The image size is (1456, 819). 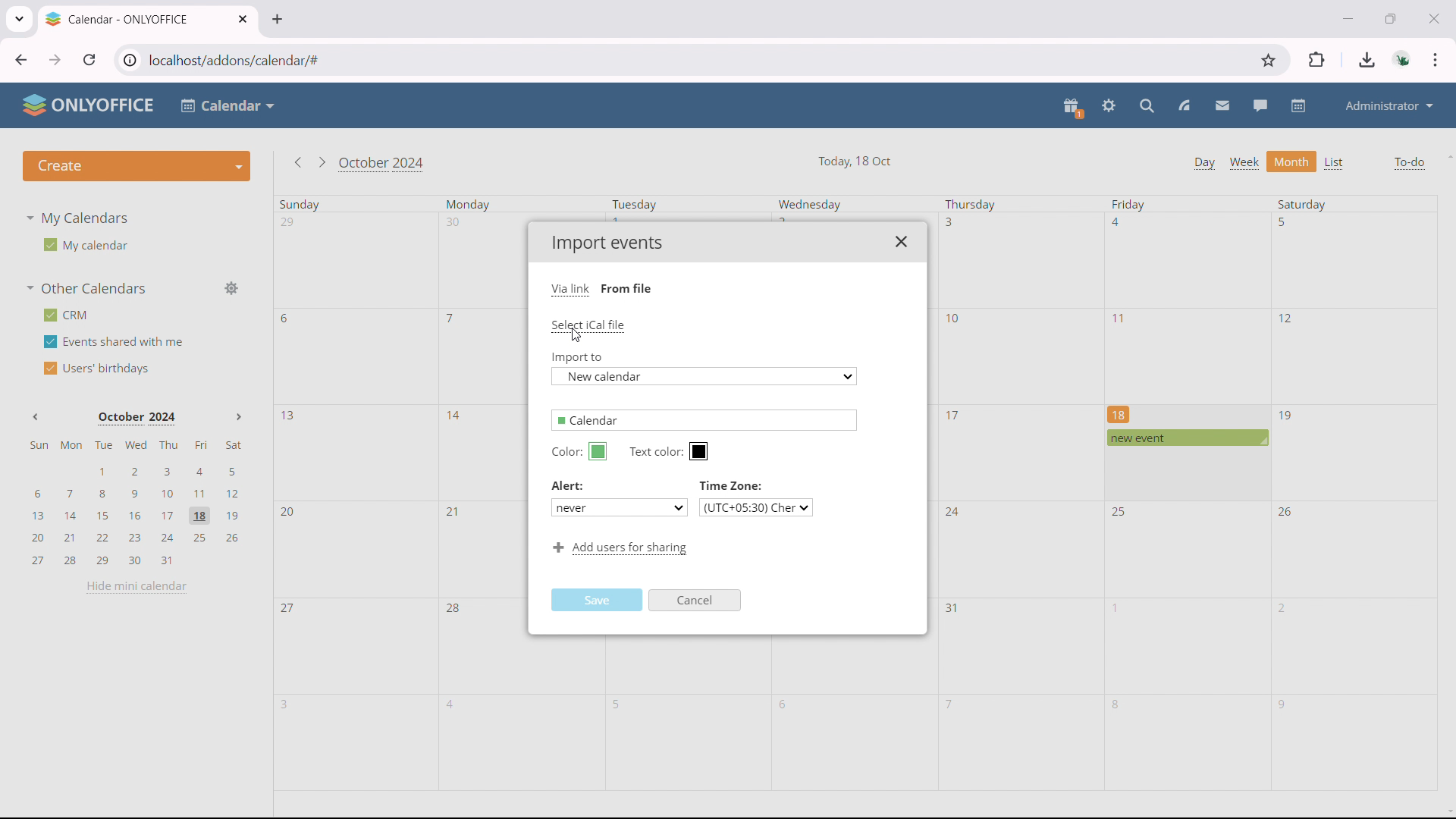 What do you see at coordinates (1287, 510) in the screenshot?
I see `26` at bounding box center [1287, 510].